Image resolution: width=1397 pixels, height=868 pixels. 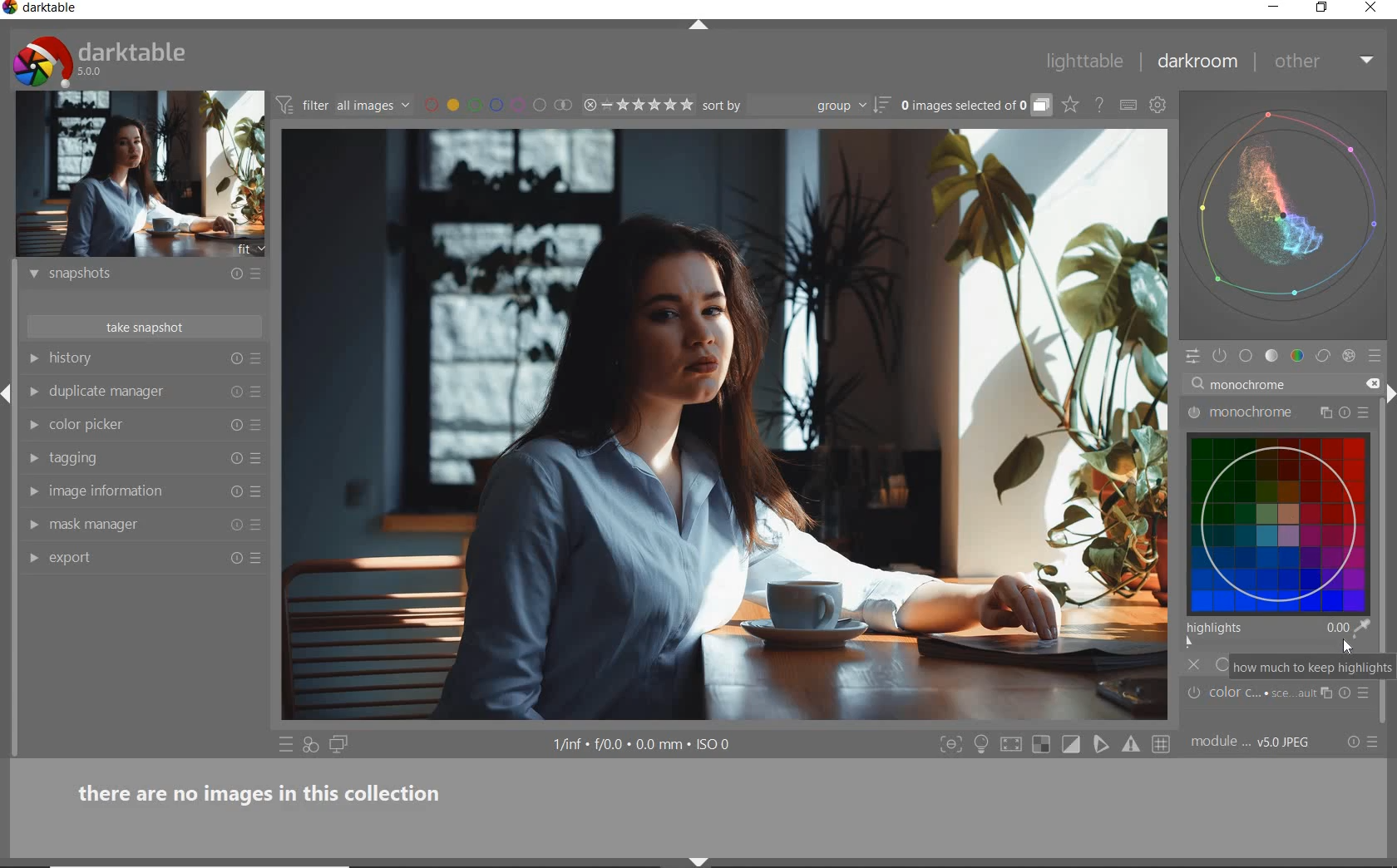 What do you see at coordinates (141, 327) in the screenshot?
I see `take snapshot` at bounding box center [141, 327].